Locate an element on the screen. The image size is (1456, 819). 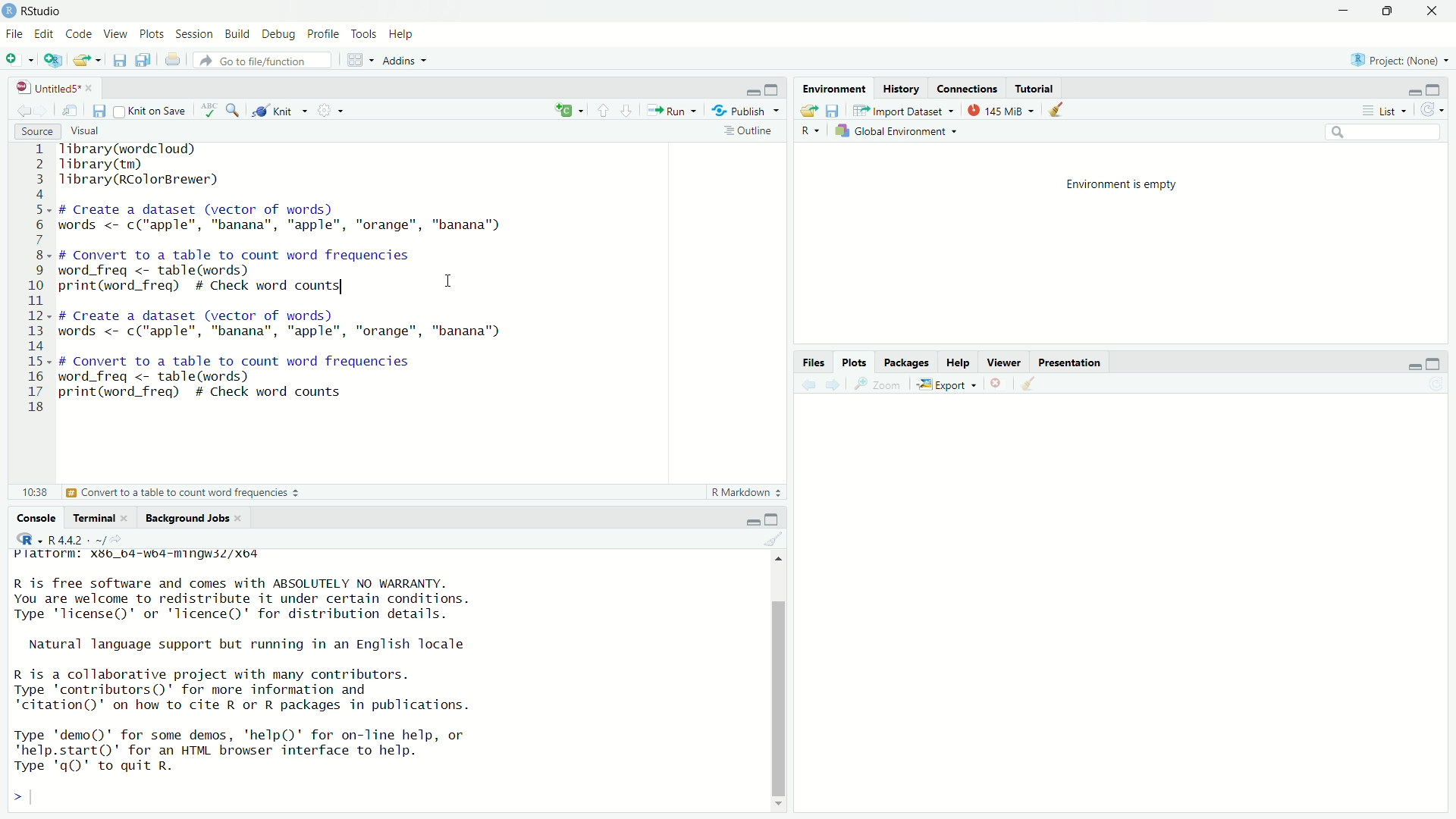
Minimize is located at coordinates (1339, 11).